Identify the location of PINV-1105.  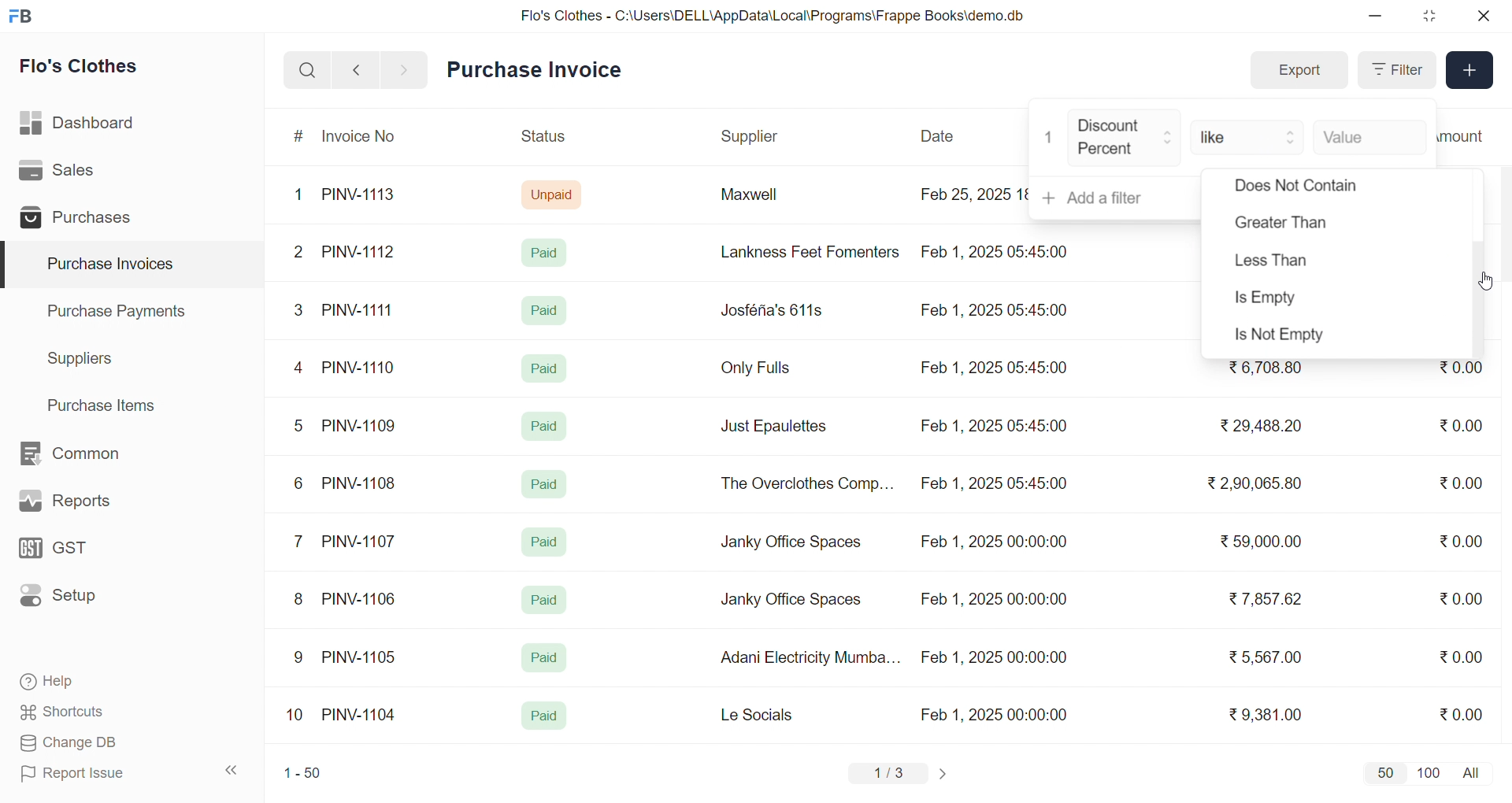
(362, 657).